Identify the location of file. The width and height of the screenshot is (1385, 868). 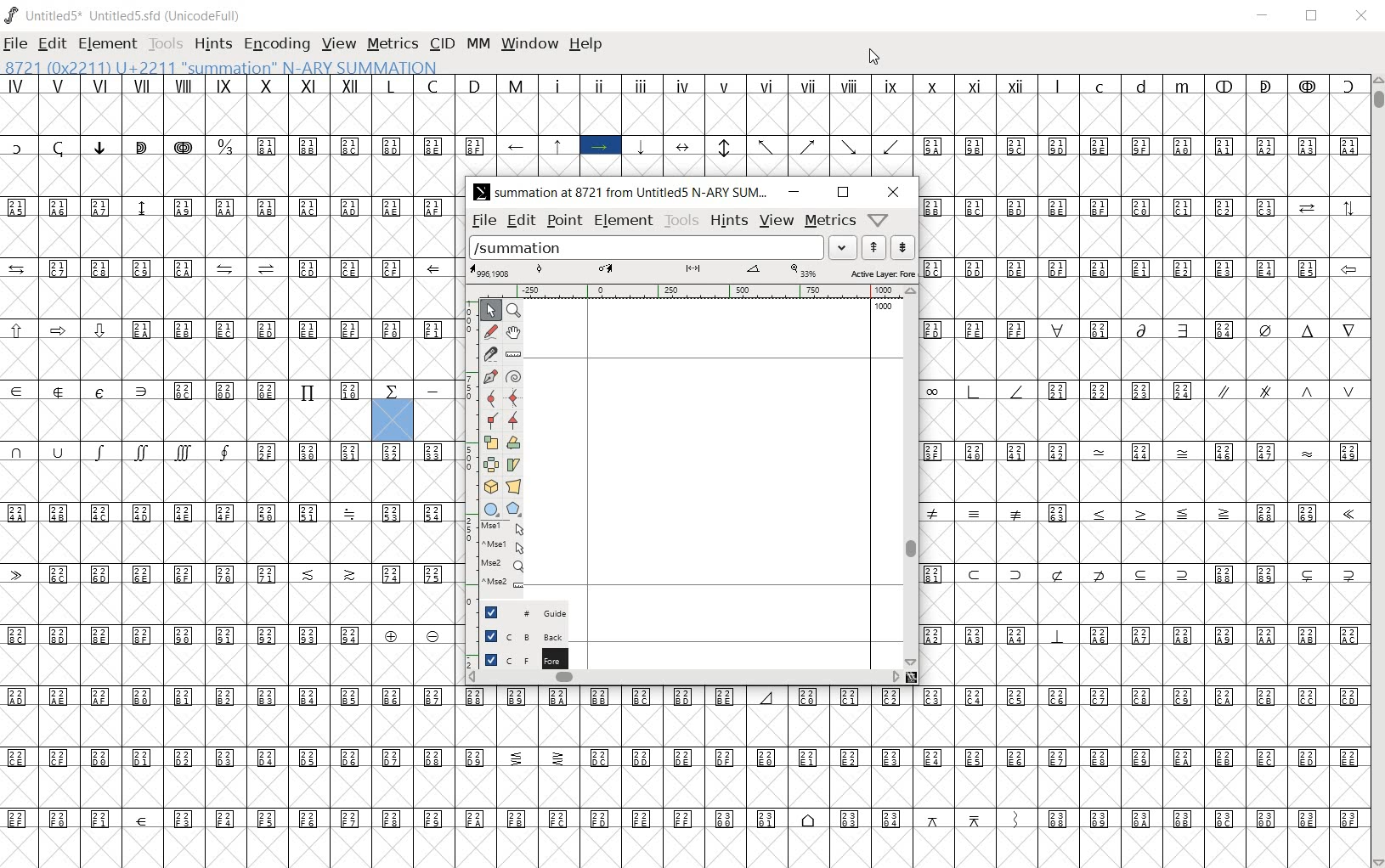
(483, 220).